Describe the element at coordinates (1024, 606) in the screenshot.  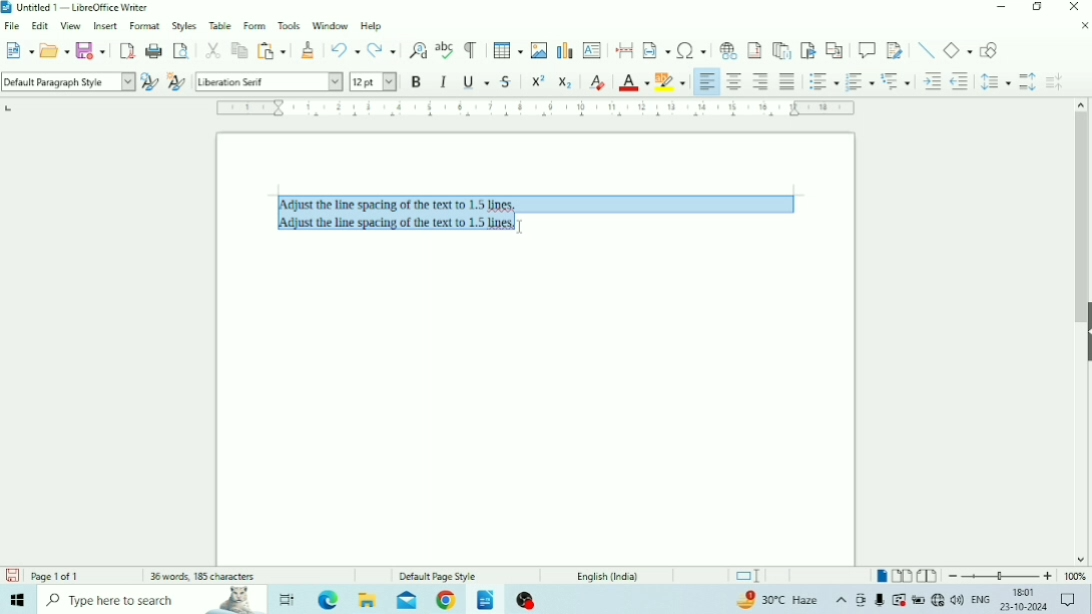
I see `Date` at that location.